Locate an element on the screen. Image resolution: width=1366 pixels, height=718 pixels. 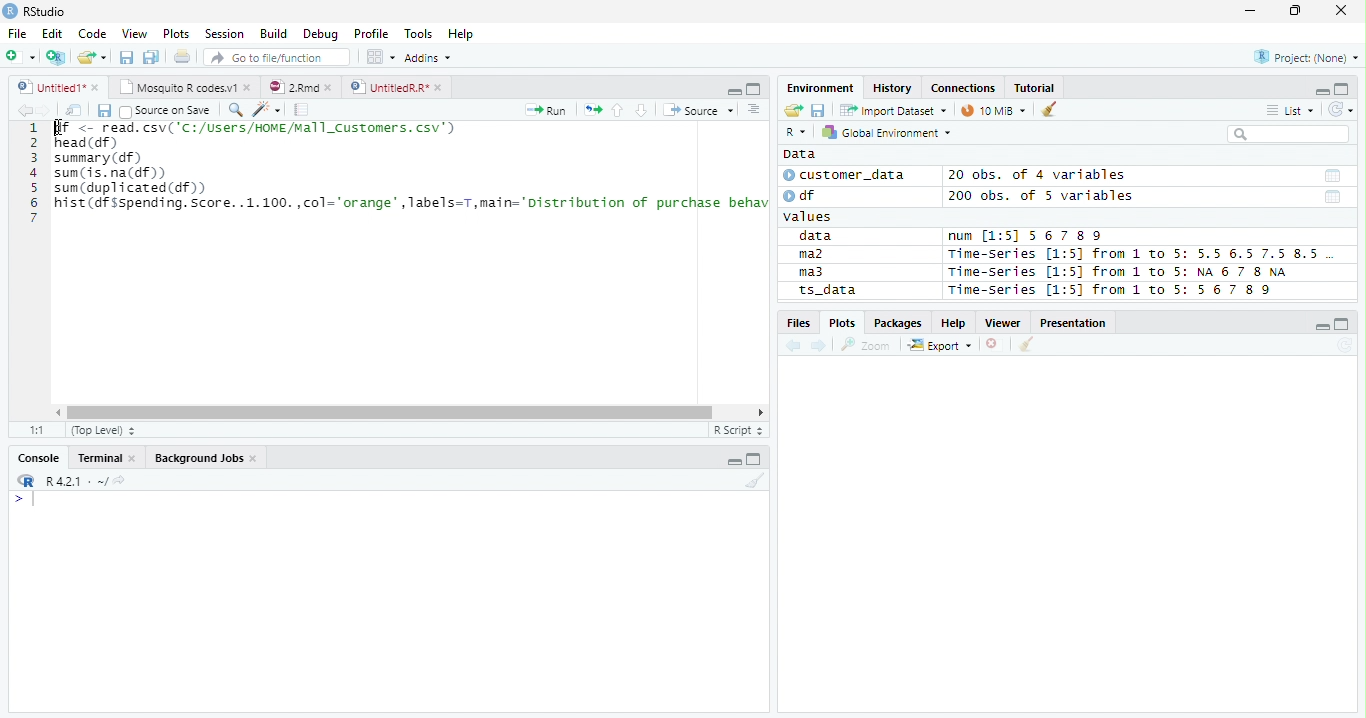
Debug is located at coordinates (321, 35).